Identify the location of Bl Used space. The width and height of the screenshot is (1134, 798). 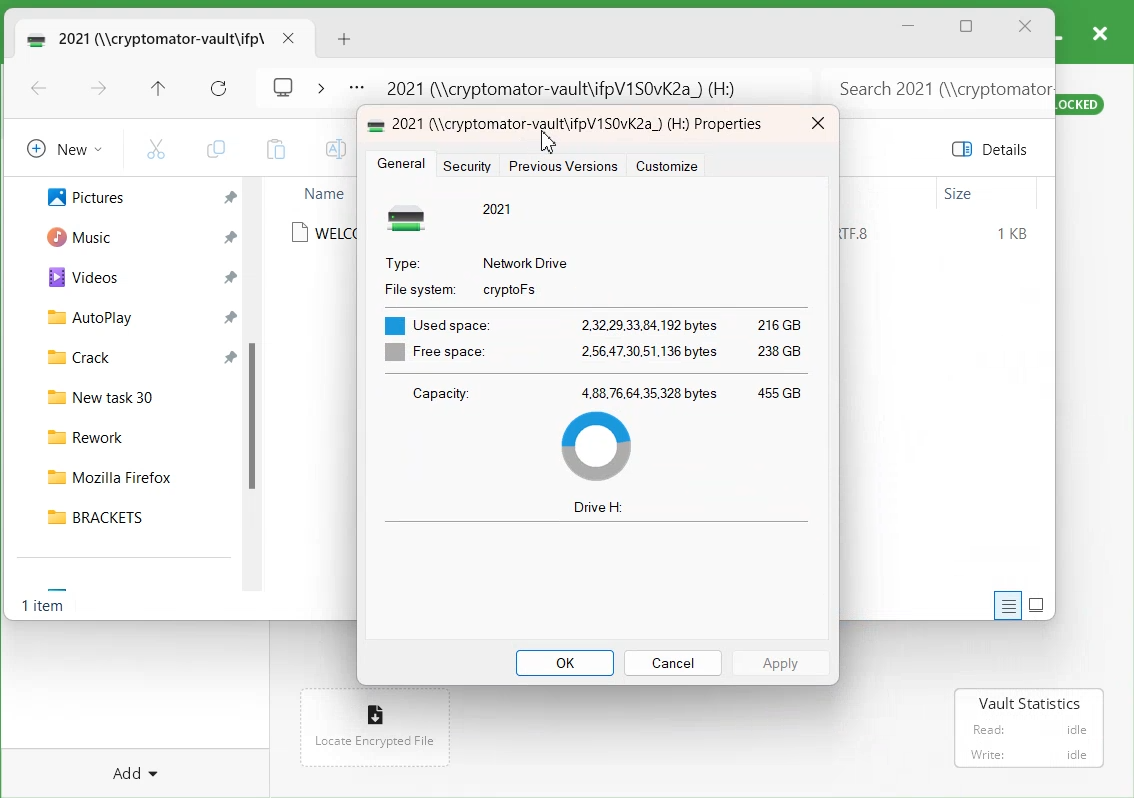
(433, 320).